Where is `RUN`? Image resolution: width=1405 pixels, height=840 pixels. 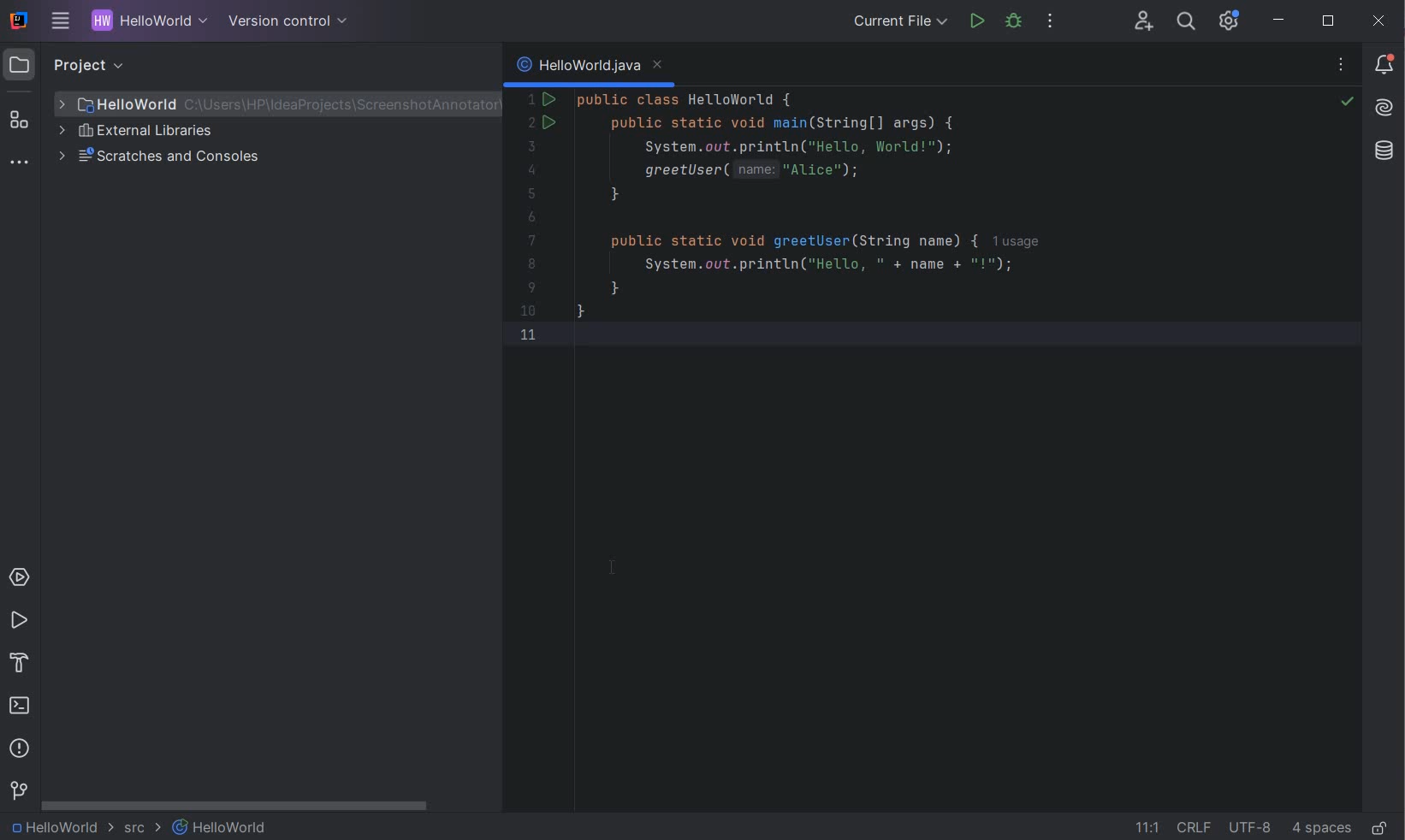
RUN is located at coordinates (977, 21).